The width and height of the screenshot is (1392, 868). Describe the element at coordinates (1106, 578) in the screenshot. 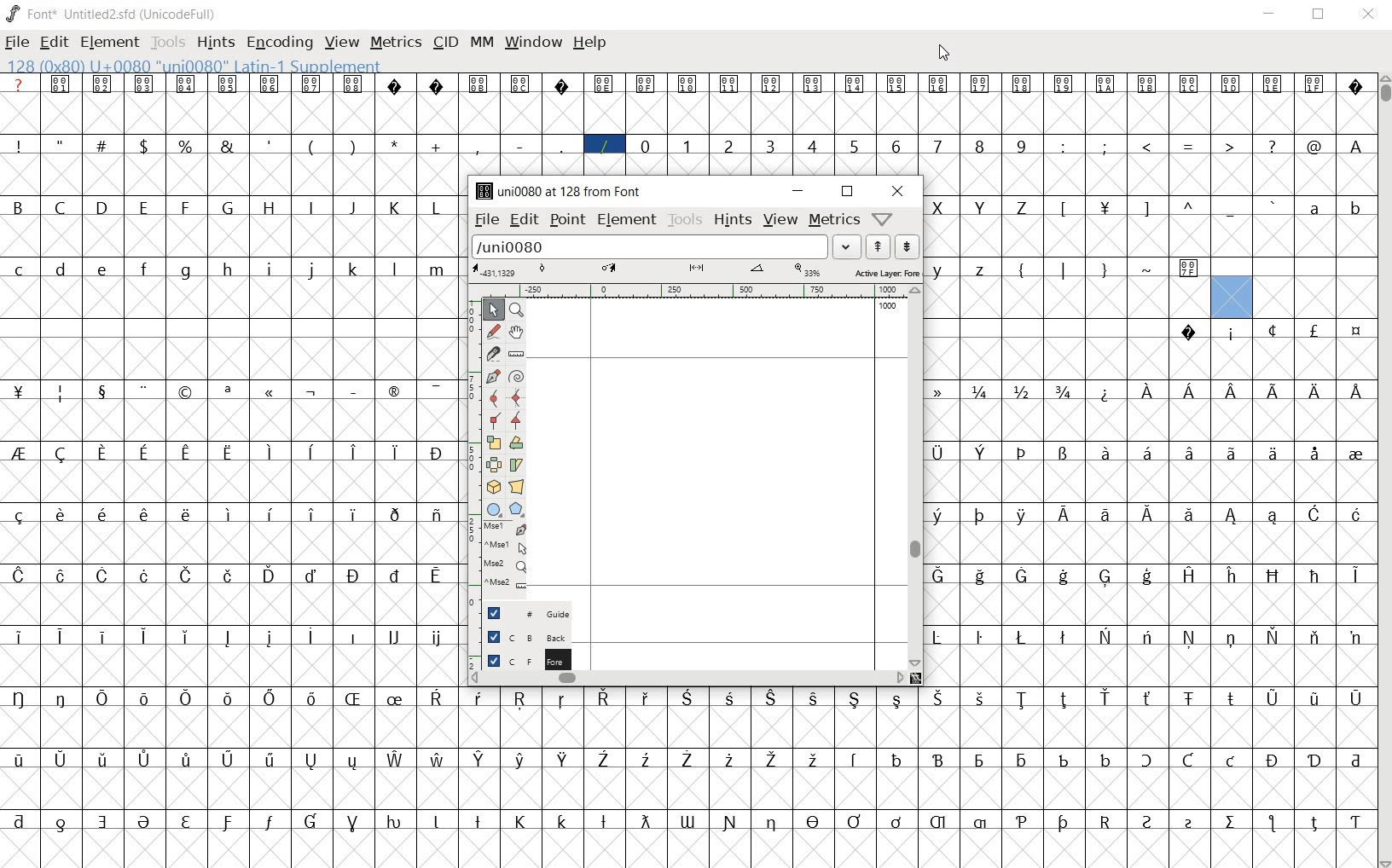

I see `glyph` at that location.